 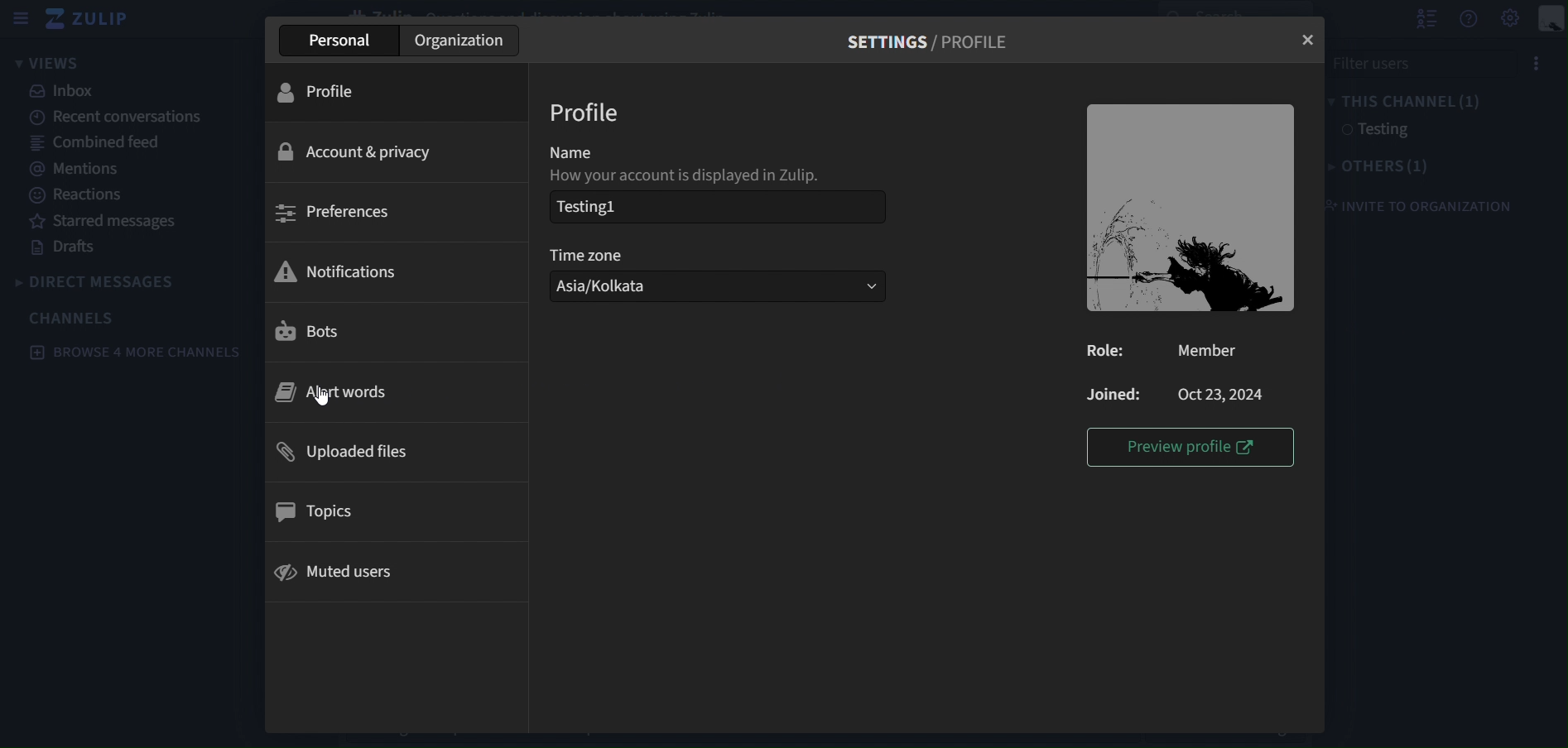 I want to click on invite to organization, so click(x=1416, y=207).